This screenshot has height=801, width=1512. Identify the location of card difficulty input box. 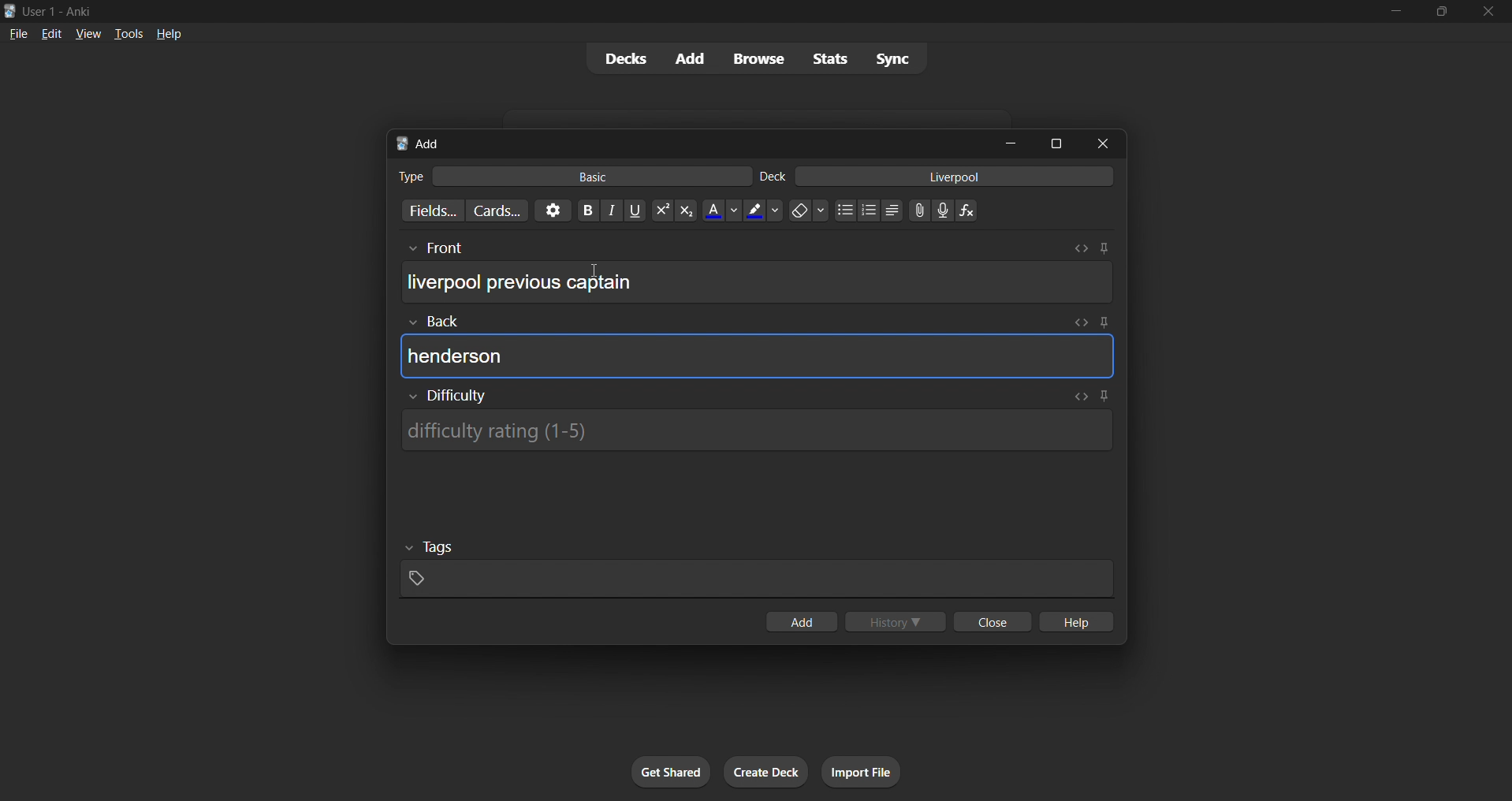
(759, 427).